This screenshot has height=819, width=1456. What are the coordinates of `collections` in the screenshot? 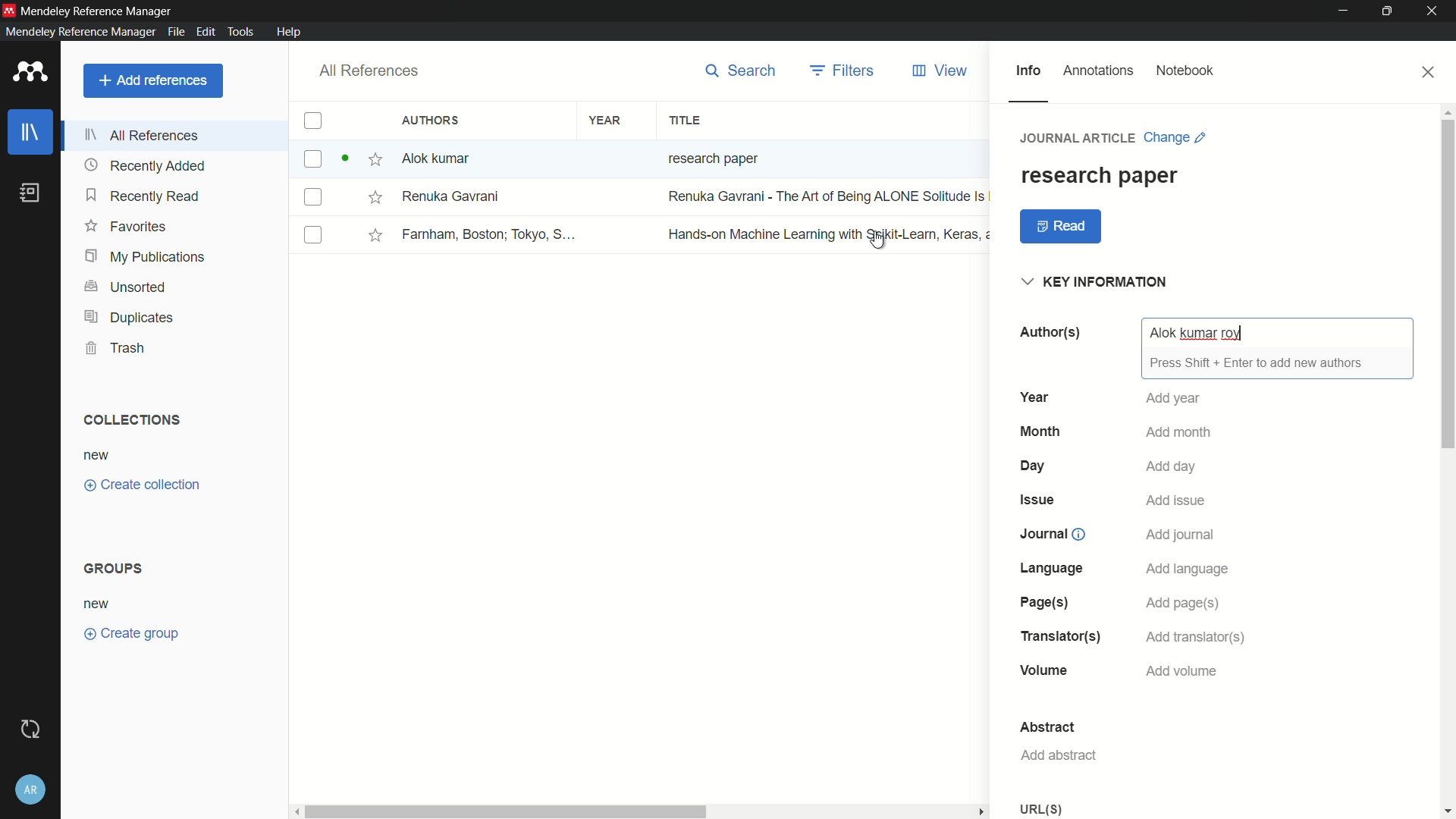 It's located at (130, 420).